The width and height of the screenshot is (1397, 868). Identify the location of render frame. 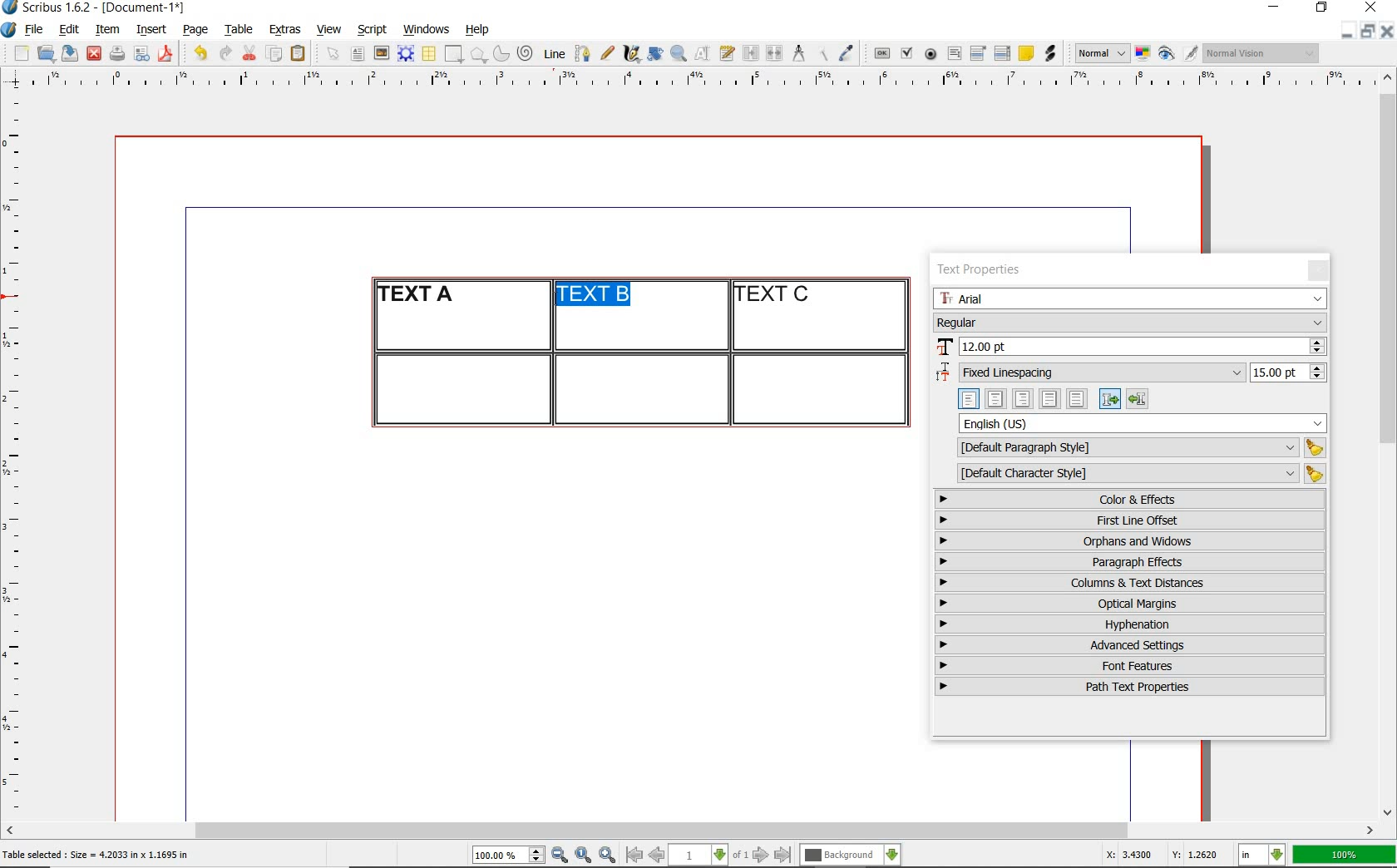
(406, 54).